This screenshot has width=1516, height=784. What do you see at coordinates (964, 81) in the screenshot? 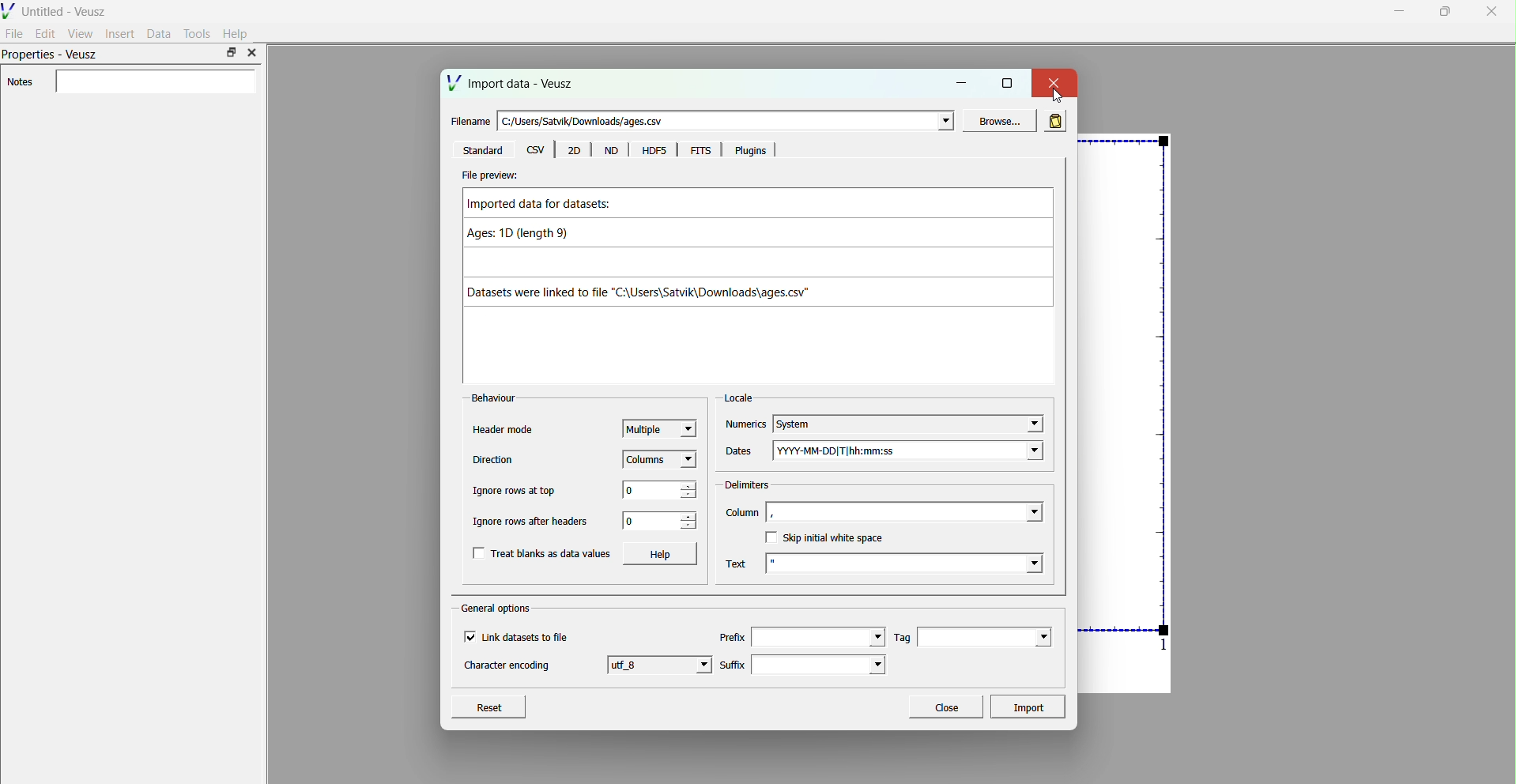
I see `minimise` at bounding box center [964, 81].